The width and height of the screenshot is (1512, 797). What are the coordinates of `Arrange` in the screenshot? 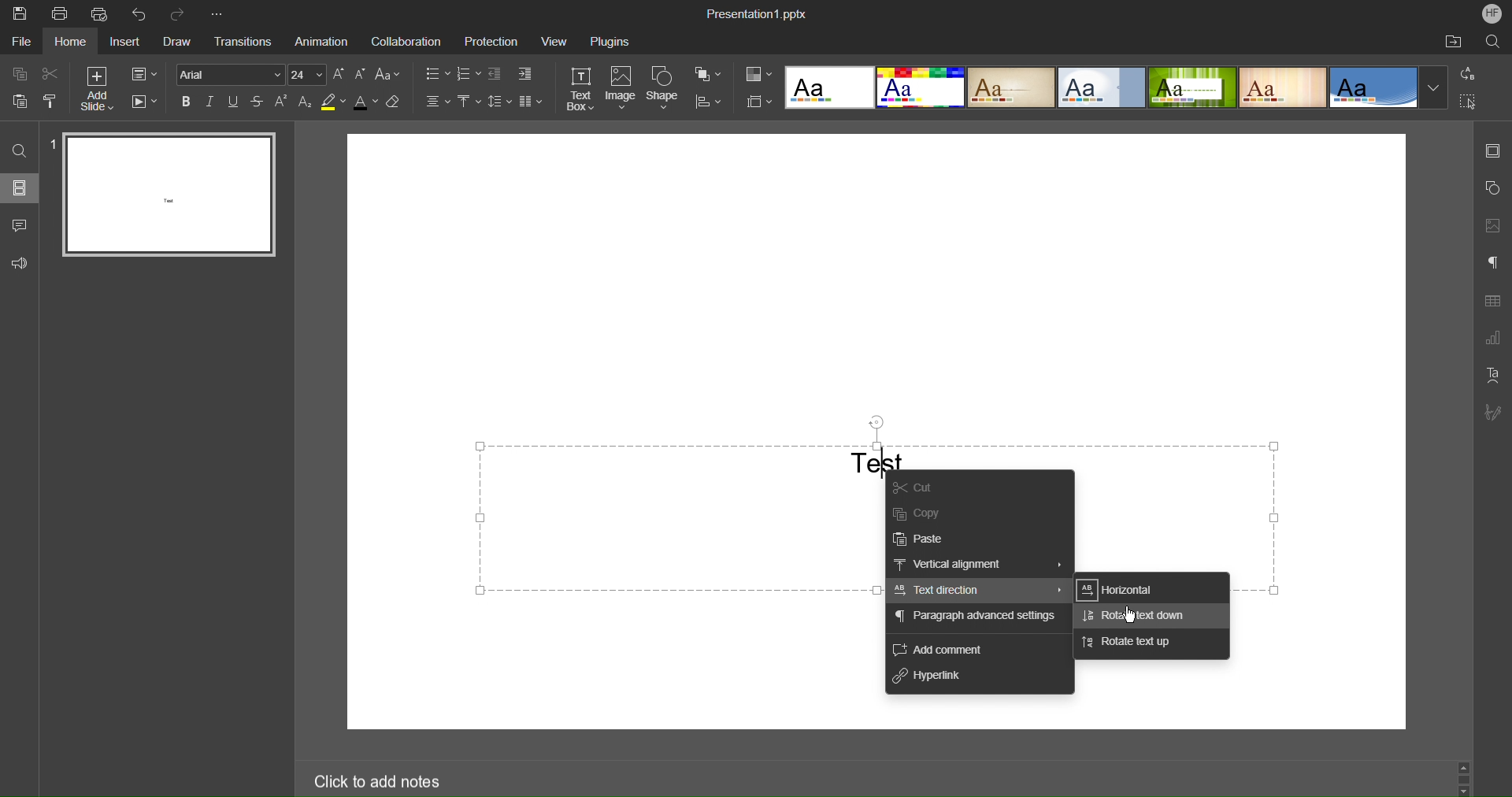 It's located at (709, 75).